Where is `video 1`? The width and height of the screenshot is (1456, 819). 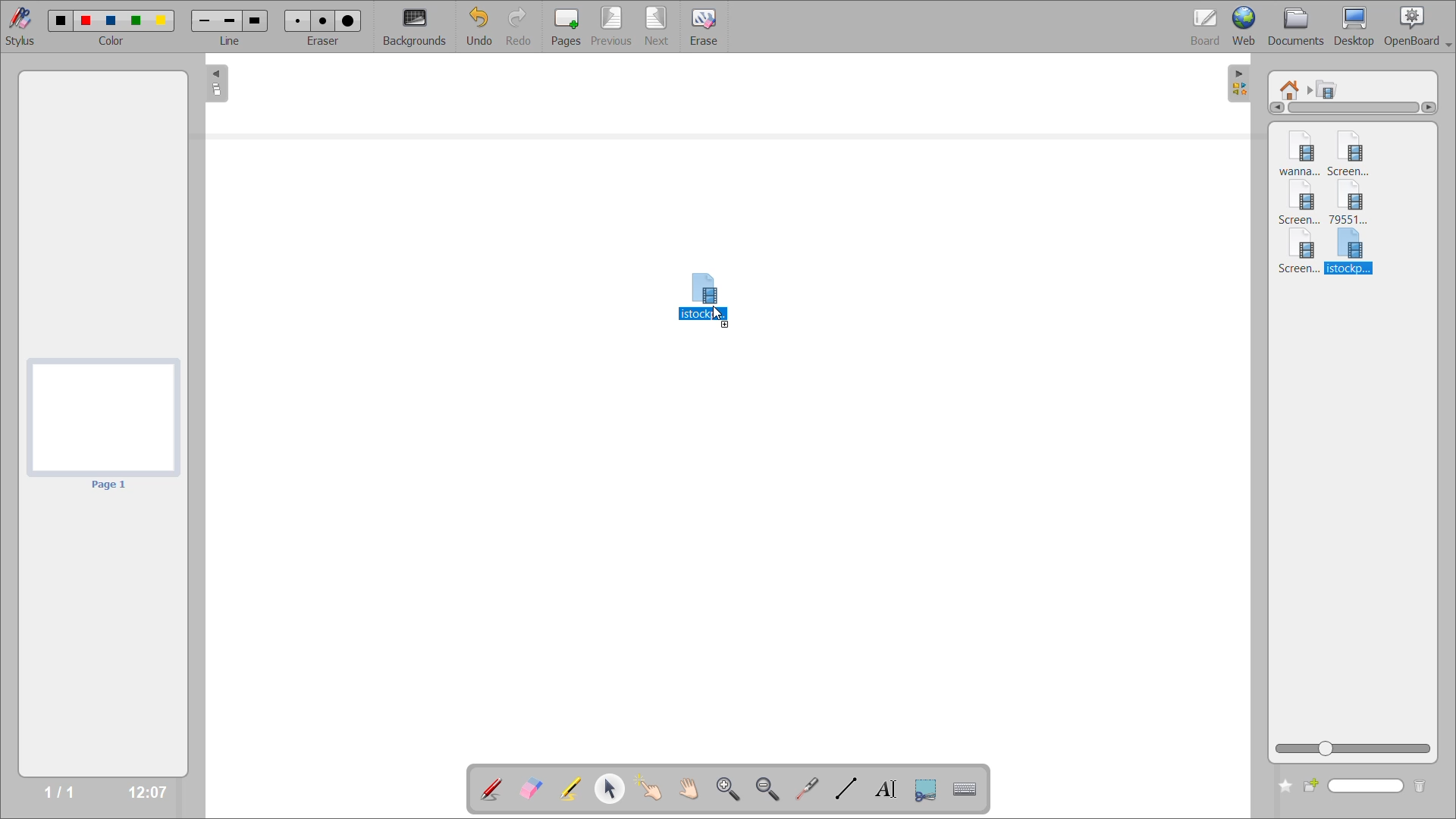 video 1 is located at coordinates (1293, 152).